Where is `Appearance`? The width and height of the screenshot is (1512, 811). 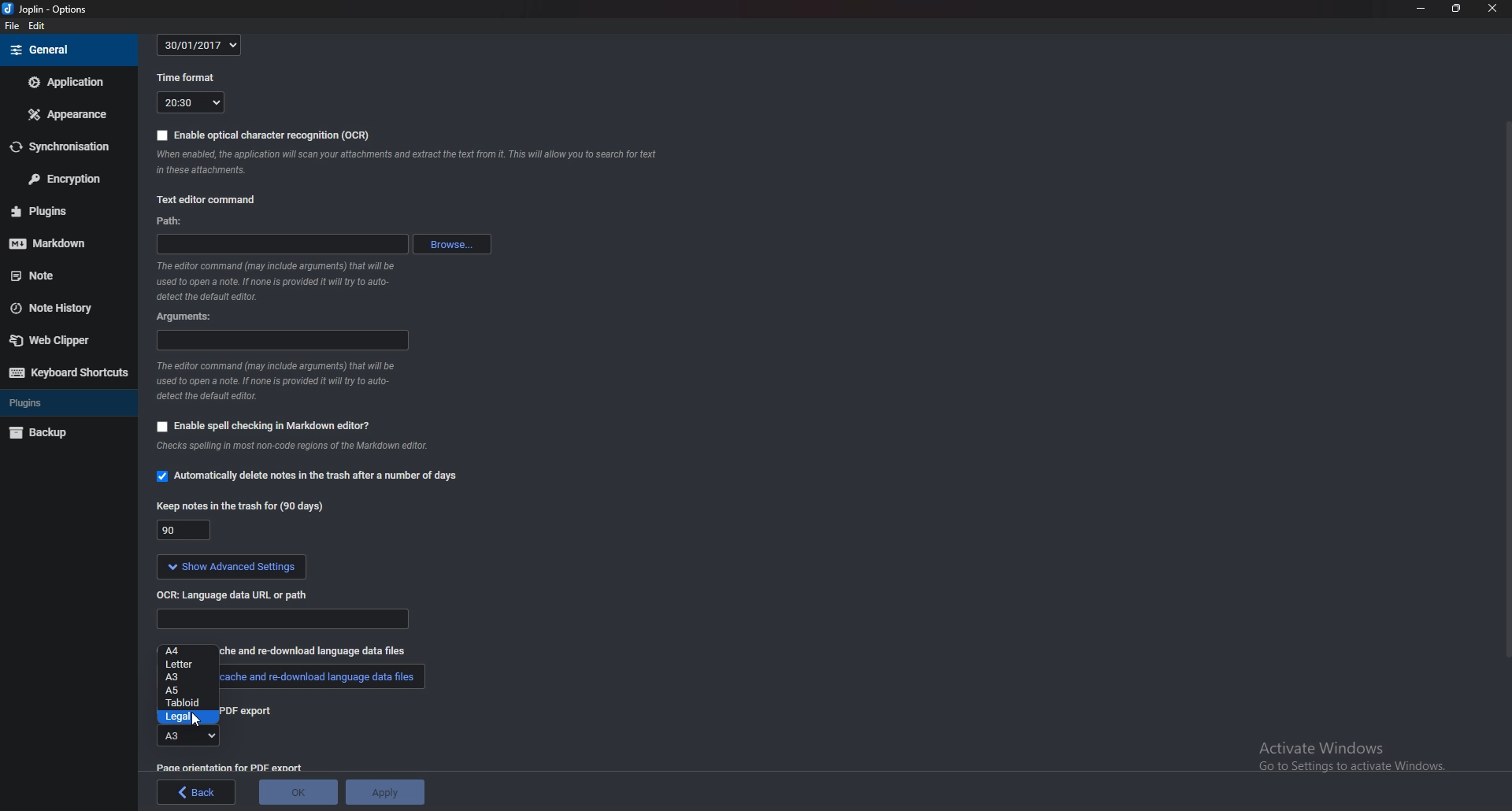 Appearance is located at coordinates (65, 116).